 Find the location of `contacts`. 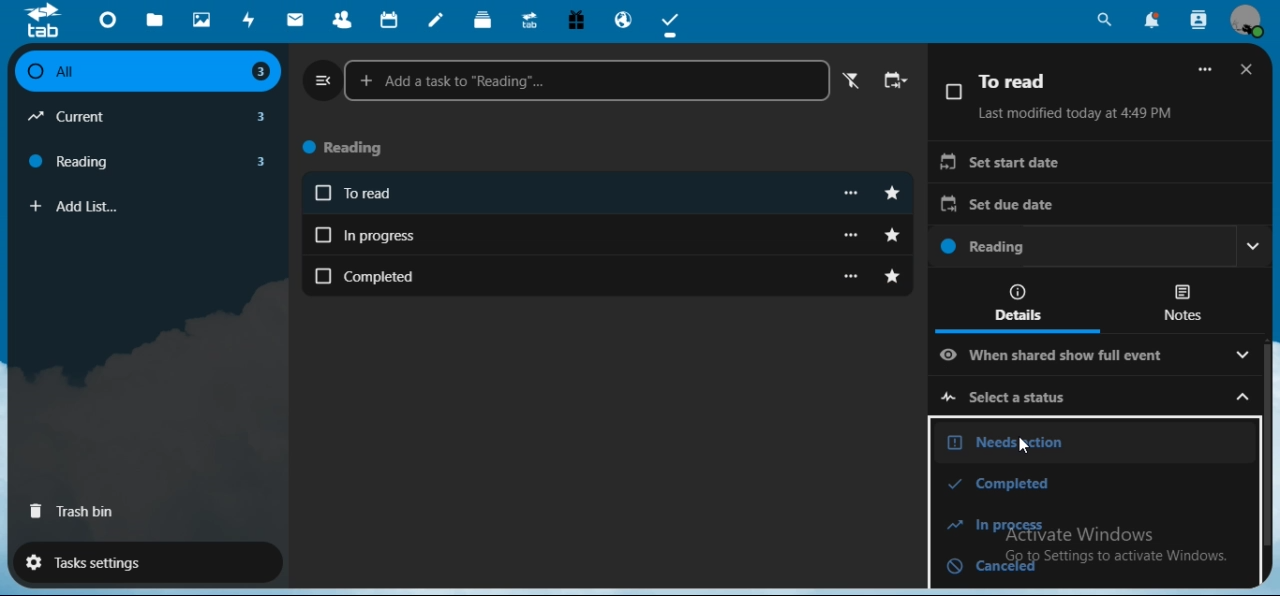

contacts is located at coordinates (339, 20).